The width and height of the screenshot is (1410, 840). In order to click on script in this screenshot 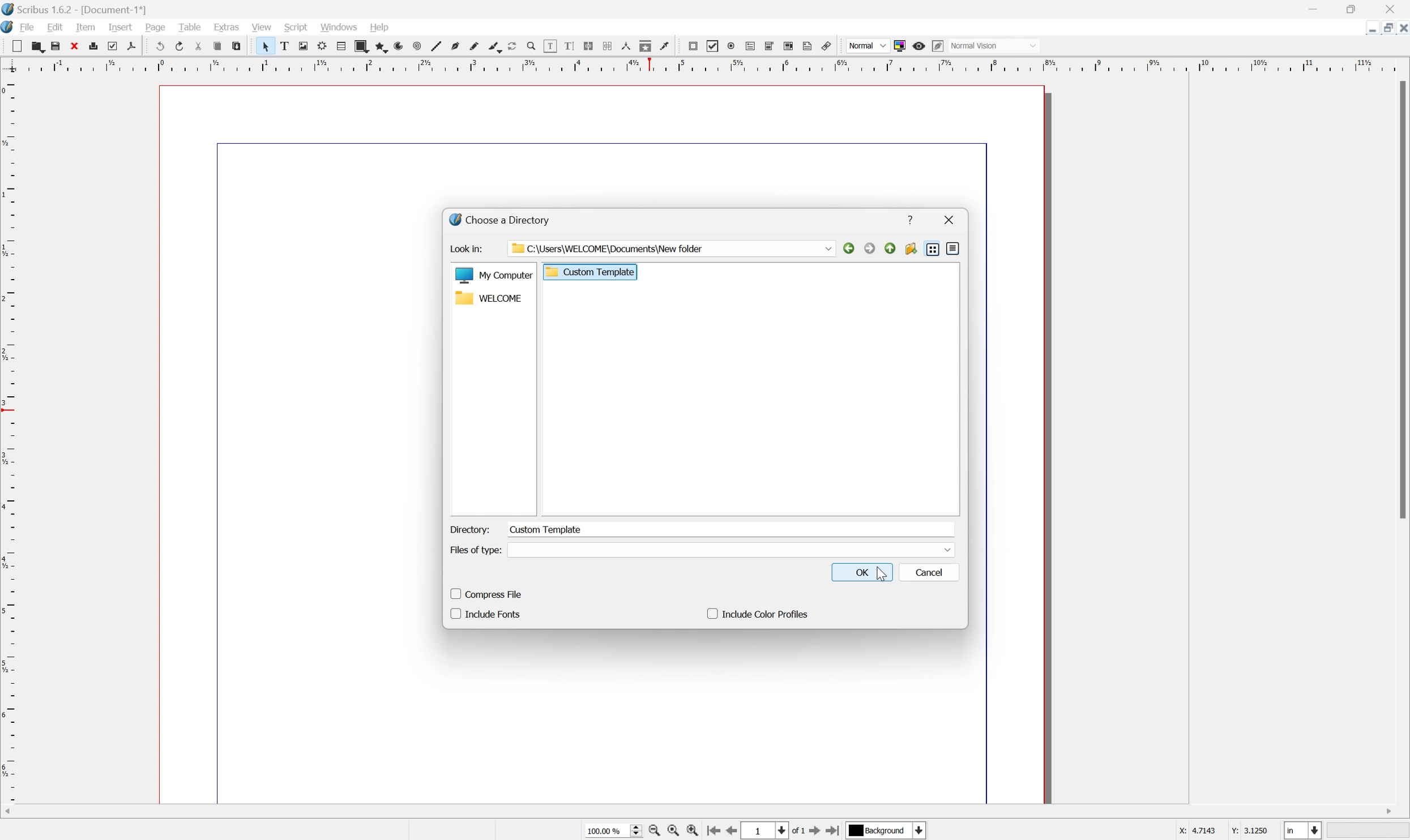, I will do `click(297, 27)`.